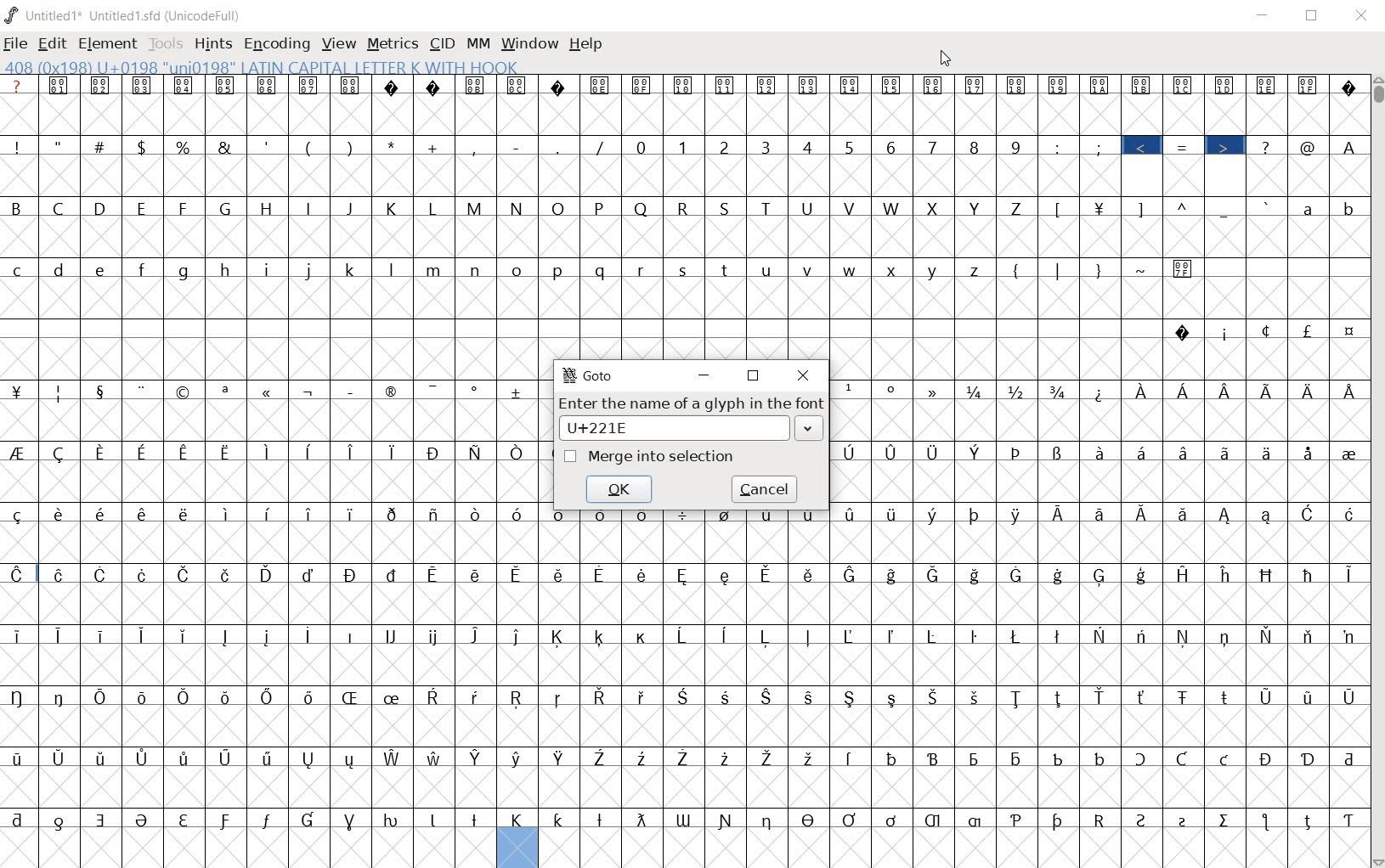  I want to click on symbols, so click(1101, 268).